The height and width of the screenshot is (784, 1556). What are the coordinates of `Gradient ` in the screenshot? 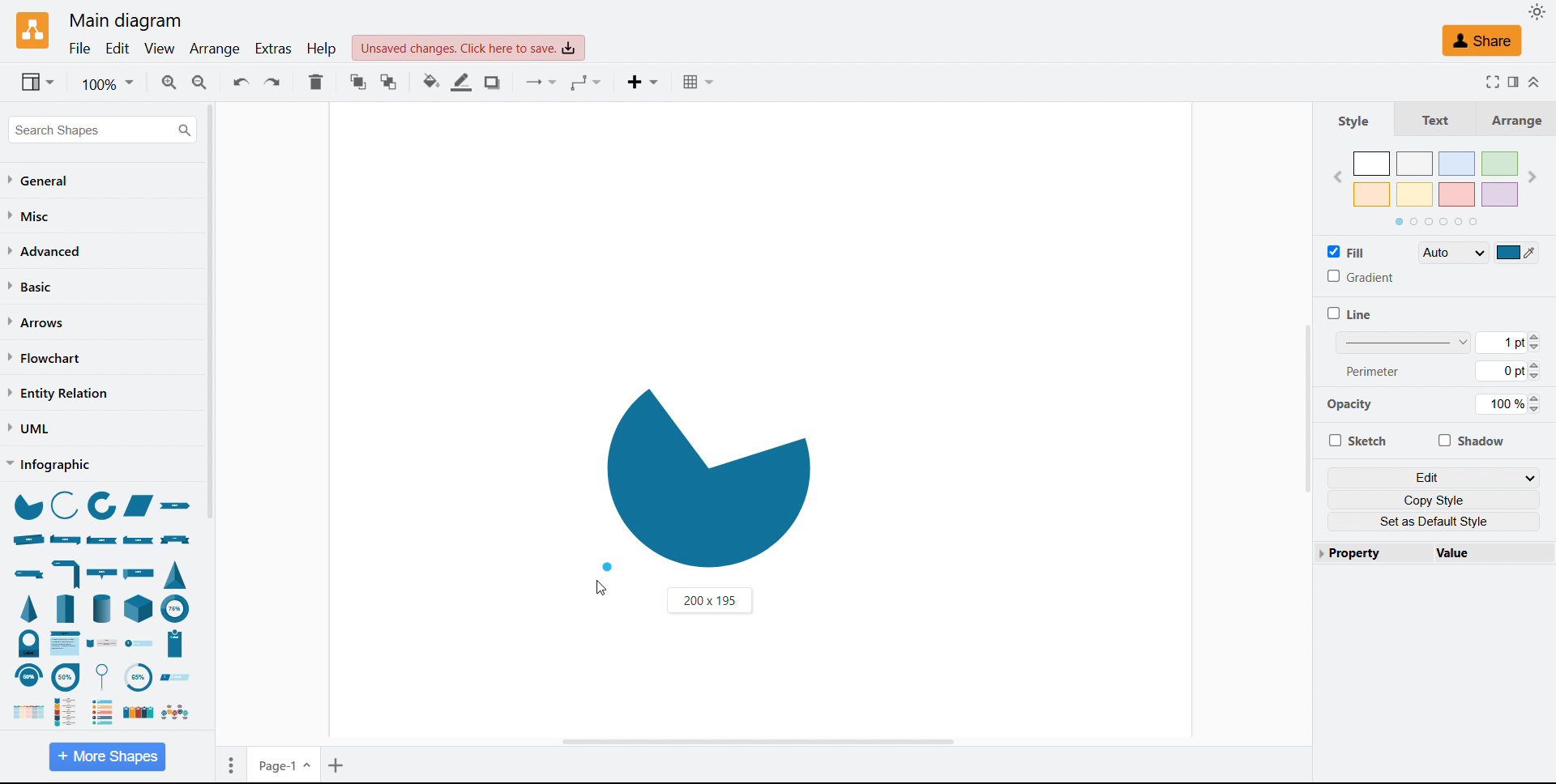 It's located at (1360, 276).